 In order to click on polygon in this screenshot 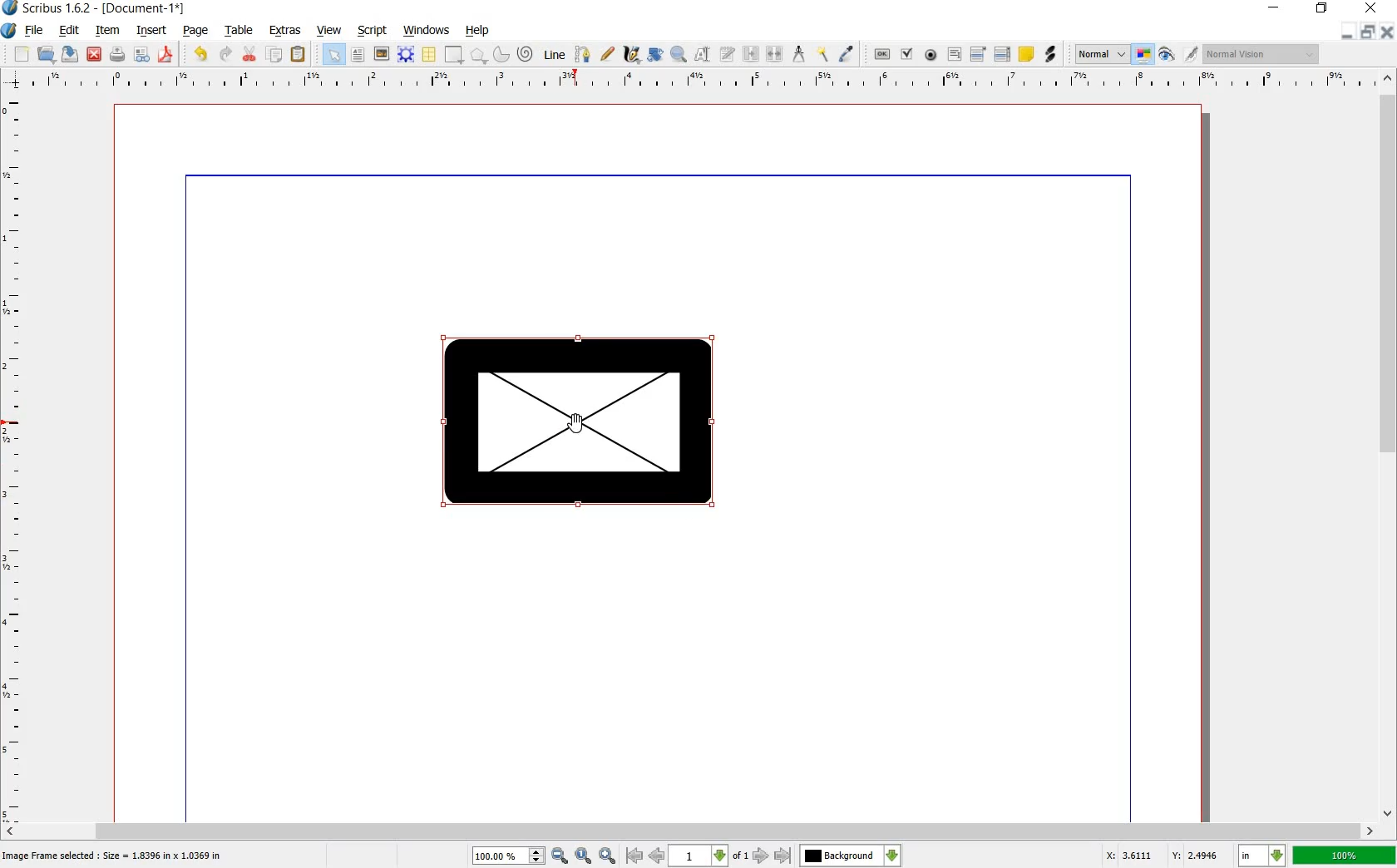, I will do `click(478, 55)`.